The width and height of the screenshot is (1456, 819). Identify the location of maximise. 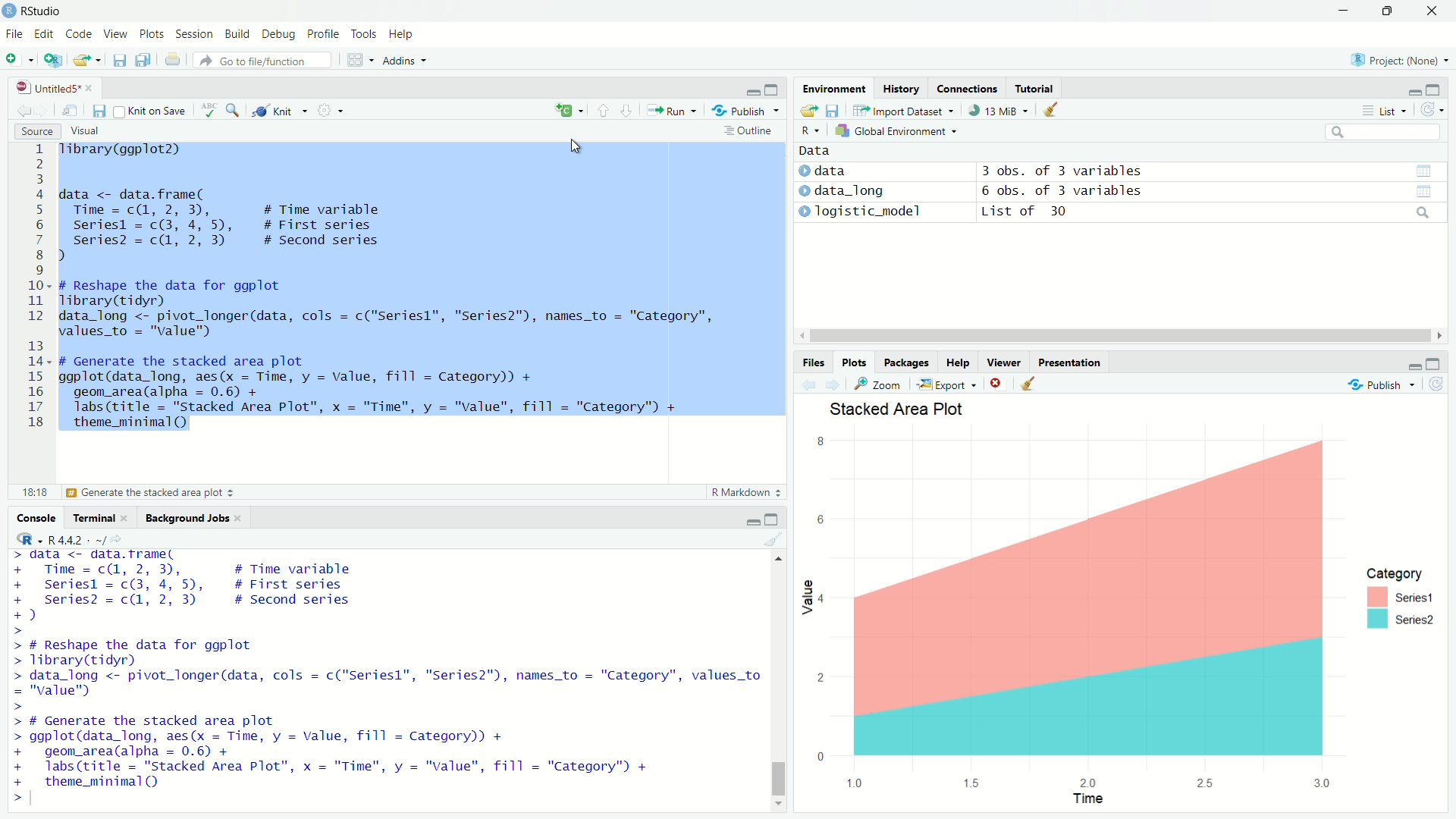
(1393, 12).